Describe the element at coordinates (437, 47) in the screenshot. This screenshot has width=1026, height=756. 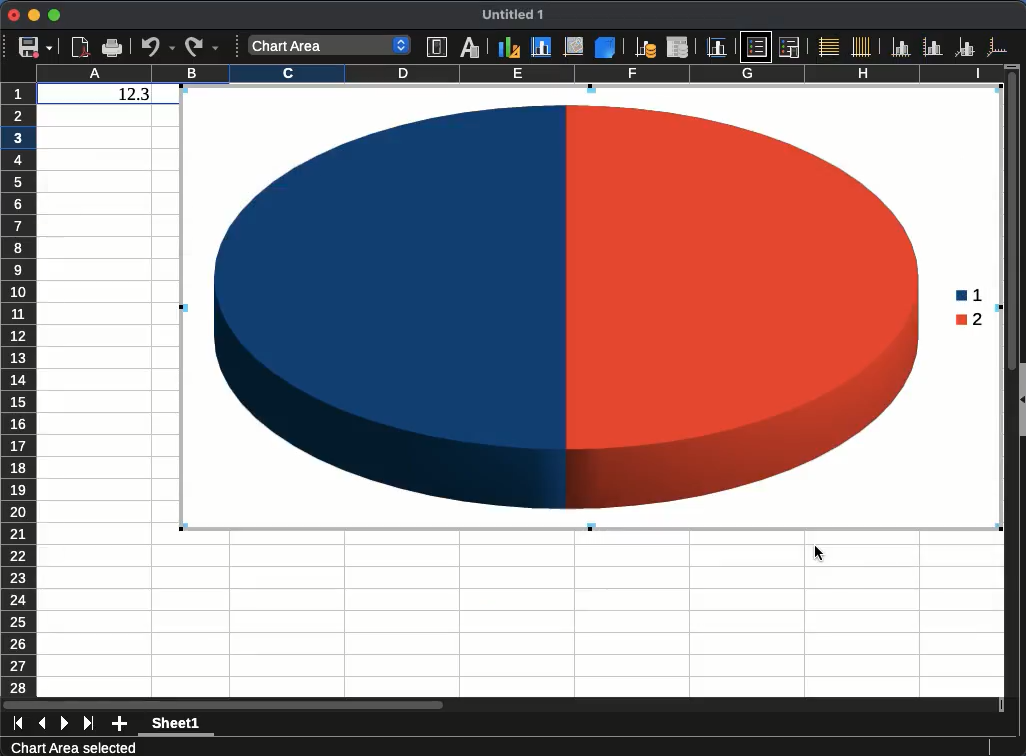
I see `Format selection` at that location.